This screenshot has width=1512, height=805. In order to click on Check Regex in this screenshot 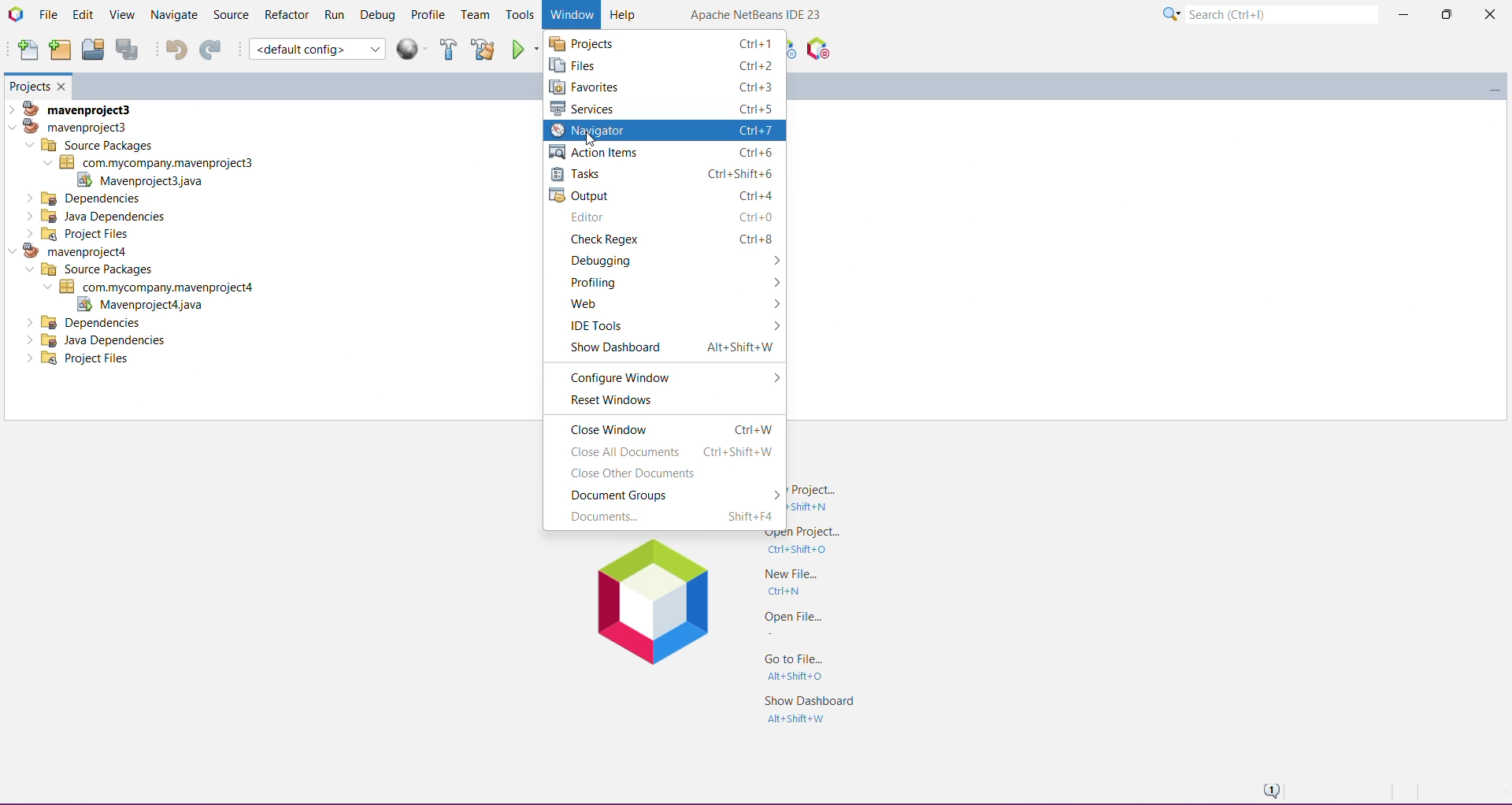, I will do `click(669, 239)`.